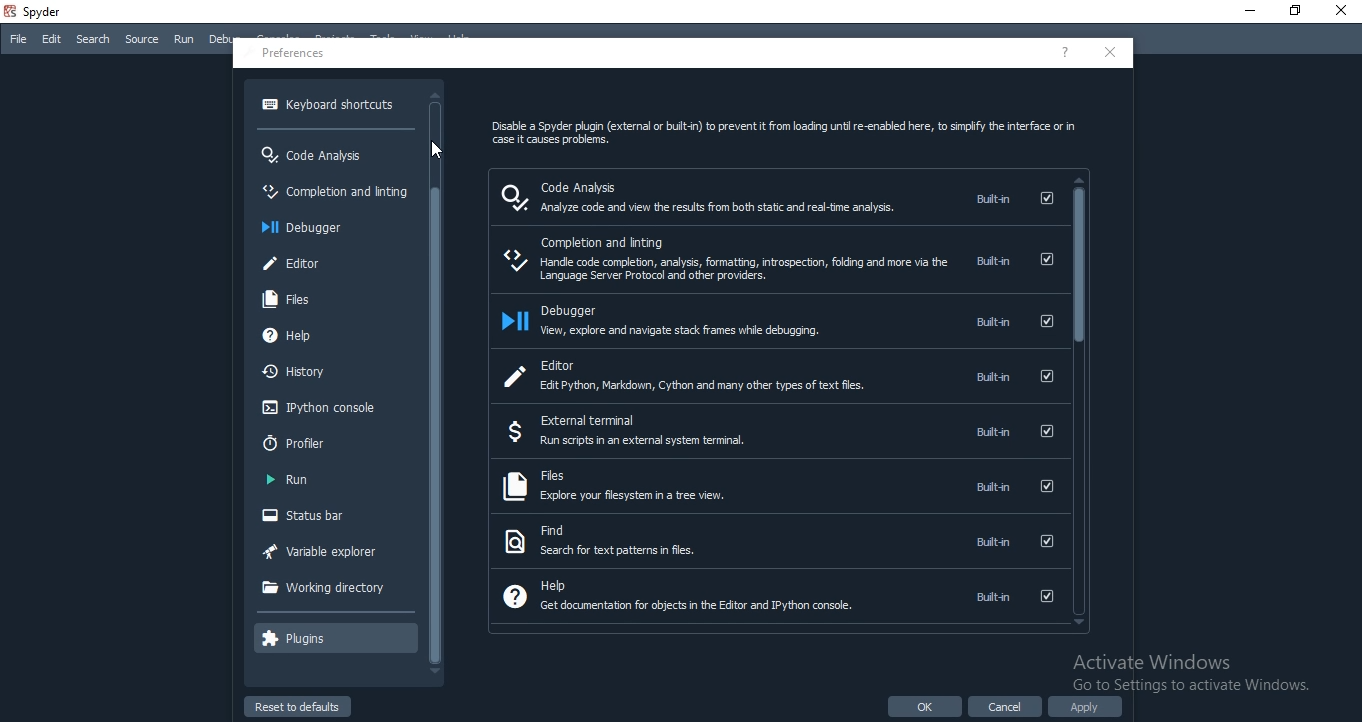 This screenshot has width=1362, height=722. Describe the element at coordinates (1196, 675) in the screenshot. I see `Activate Windows
Go to Settings to activate Windows.` at that location.